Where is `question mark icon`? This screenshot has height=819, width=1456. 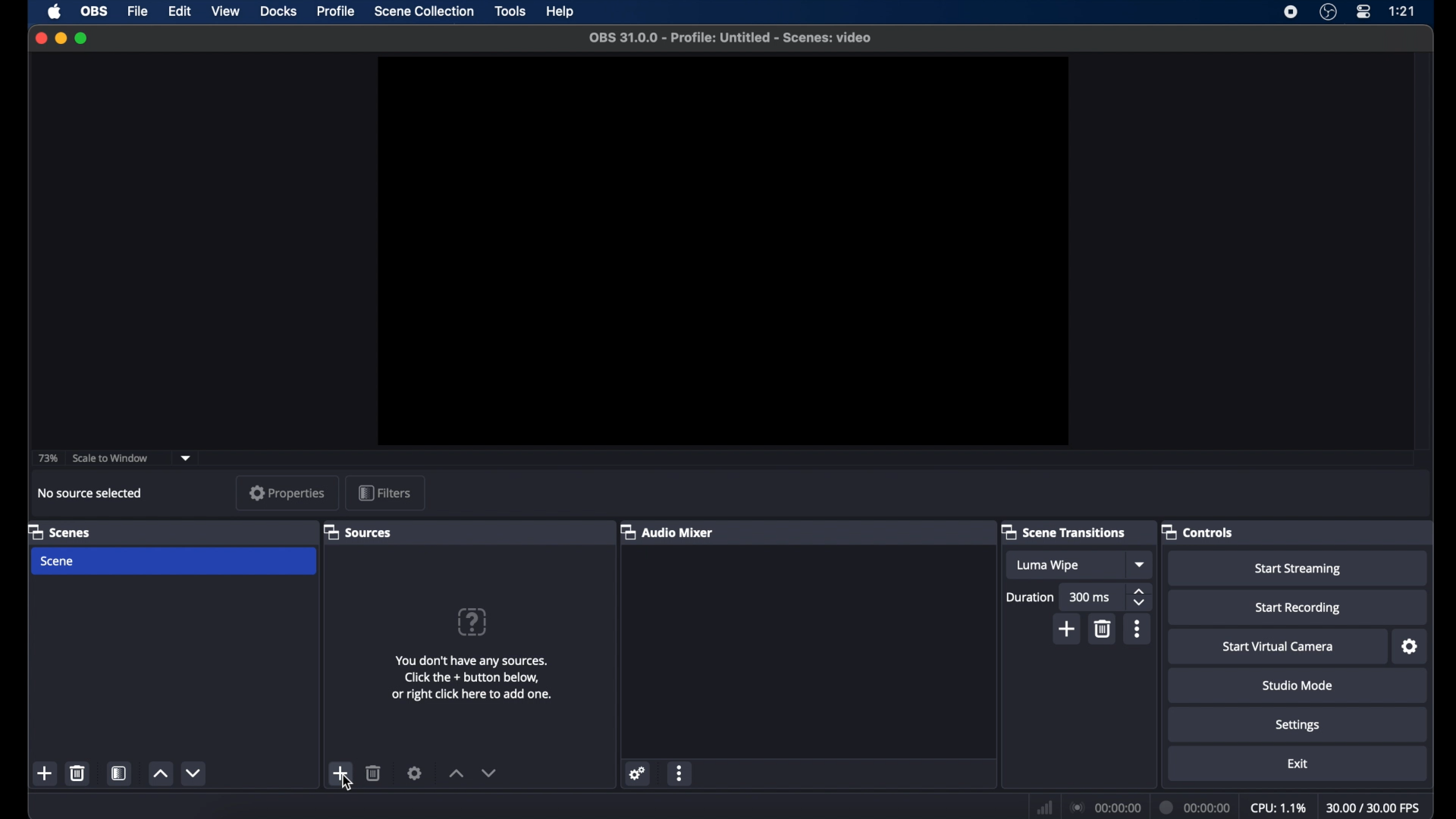
question mark icon is located at coordinates (473, 621).